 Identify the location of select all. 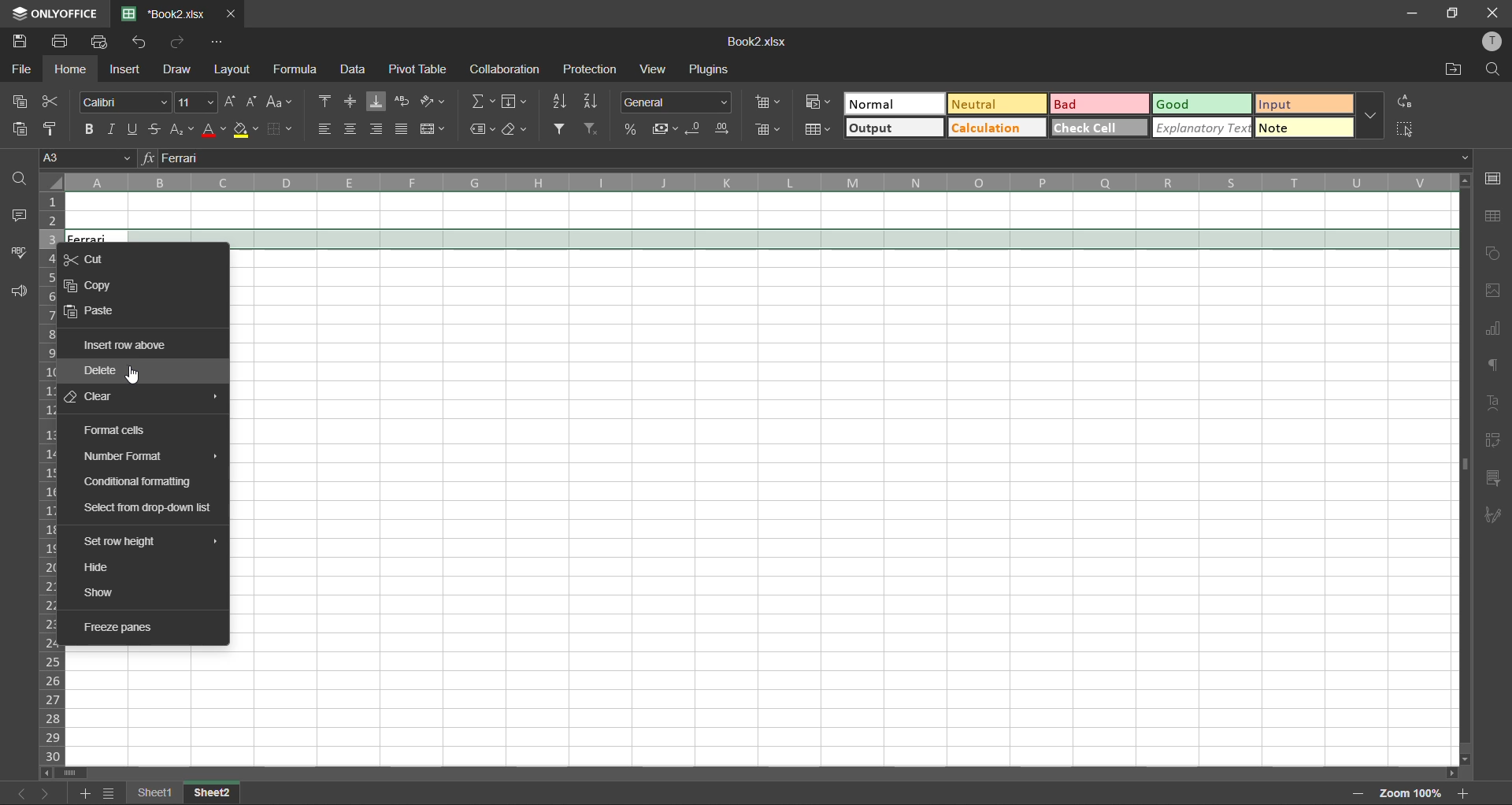
(1410, 133).